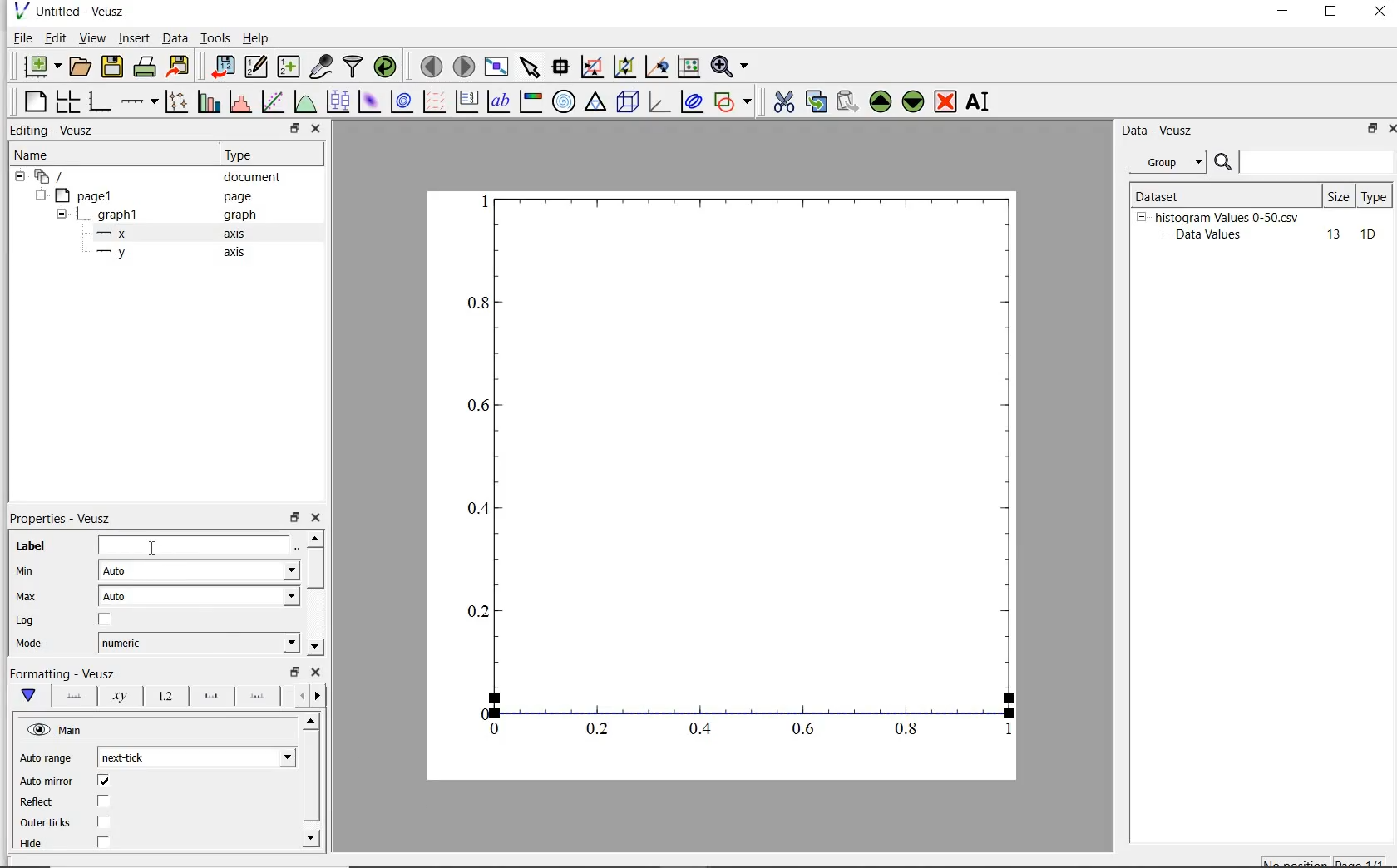 Image resolution: width=1397 pixels, height=868 pixels. What do you see at coordinates (465, 66) in the screenshot?
I see `move to next page` at bounding box center [465, 66].